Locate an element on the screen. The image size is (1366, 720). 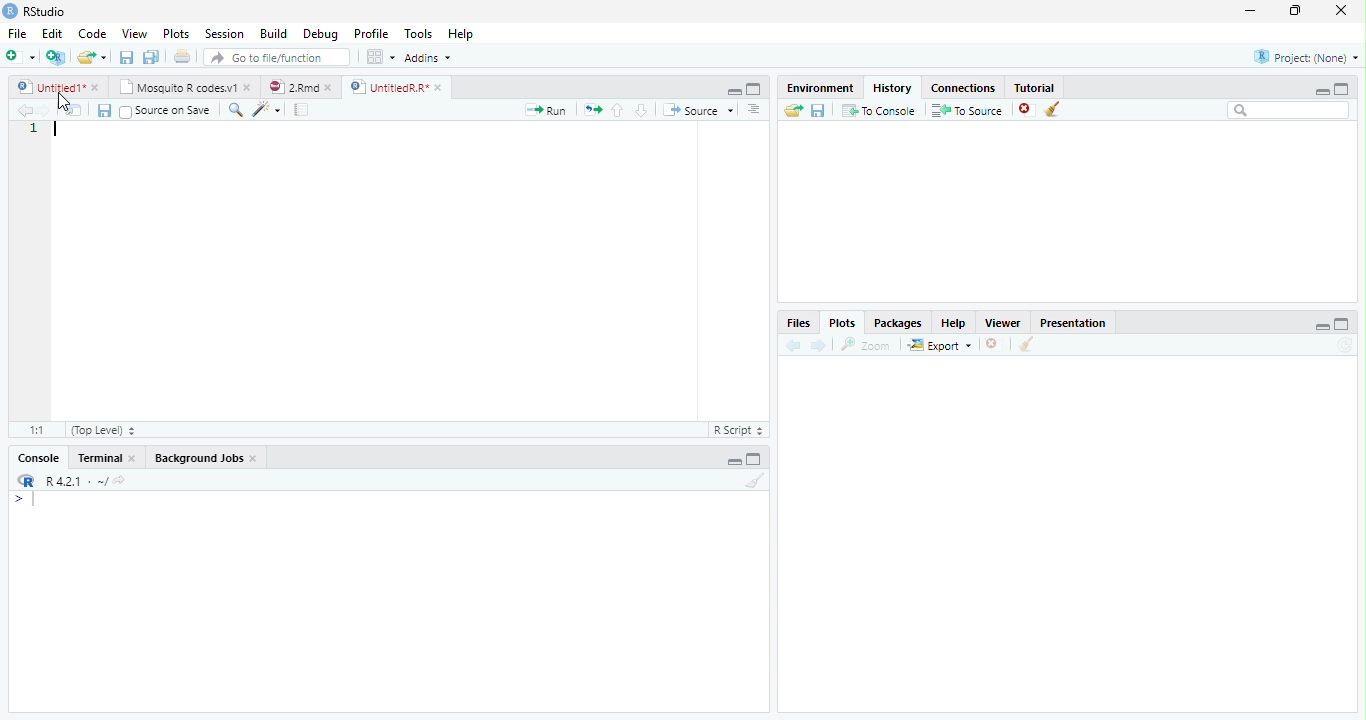
R 4.2.1 . ~/ is located at coordinates (76, 480).